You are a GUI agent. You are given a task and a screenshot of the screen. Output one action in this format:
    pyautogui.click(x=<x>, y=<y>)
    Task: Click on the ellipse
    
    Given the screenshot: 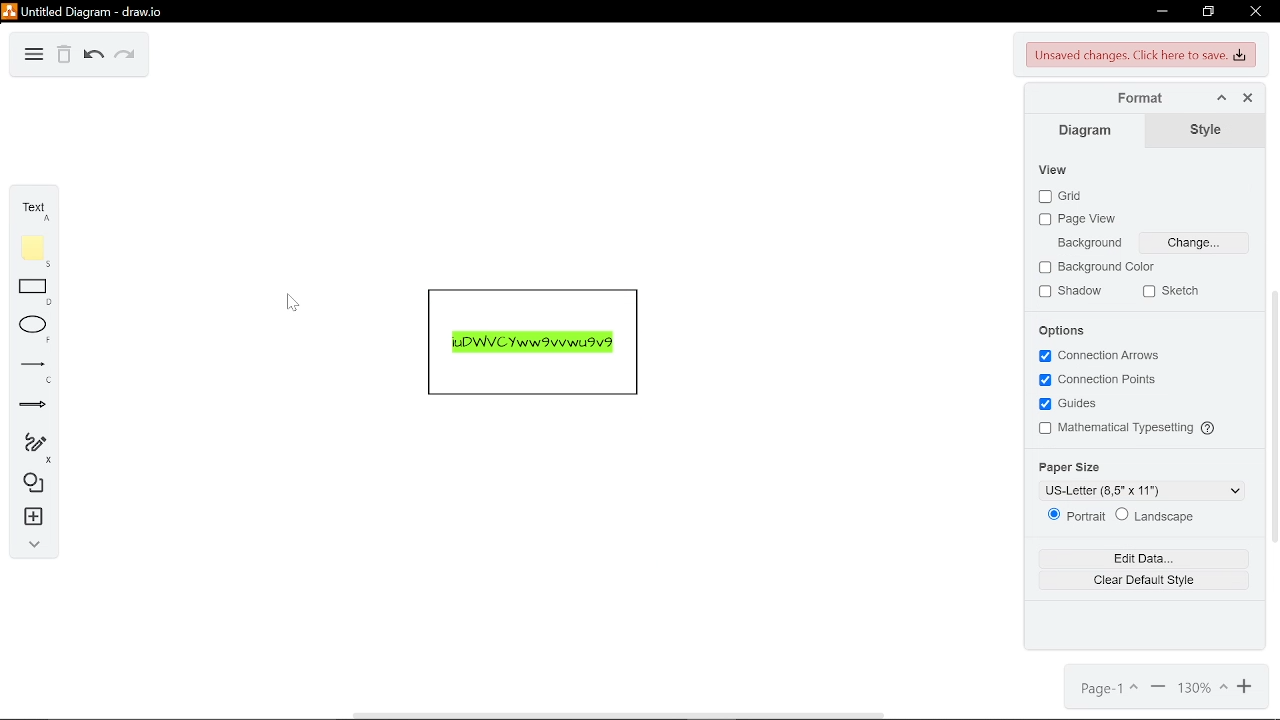 What is the action you would take?
    pyautogui.click(x=29, y=327)
    